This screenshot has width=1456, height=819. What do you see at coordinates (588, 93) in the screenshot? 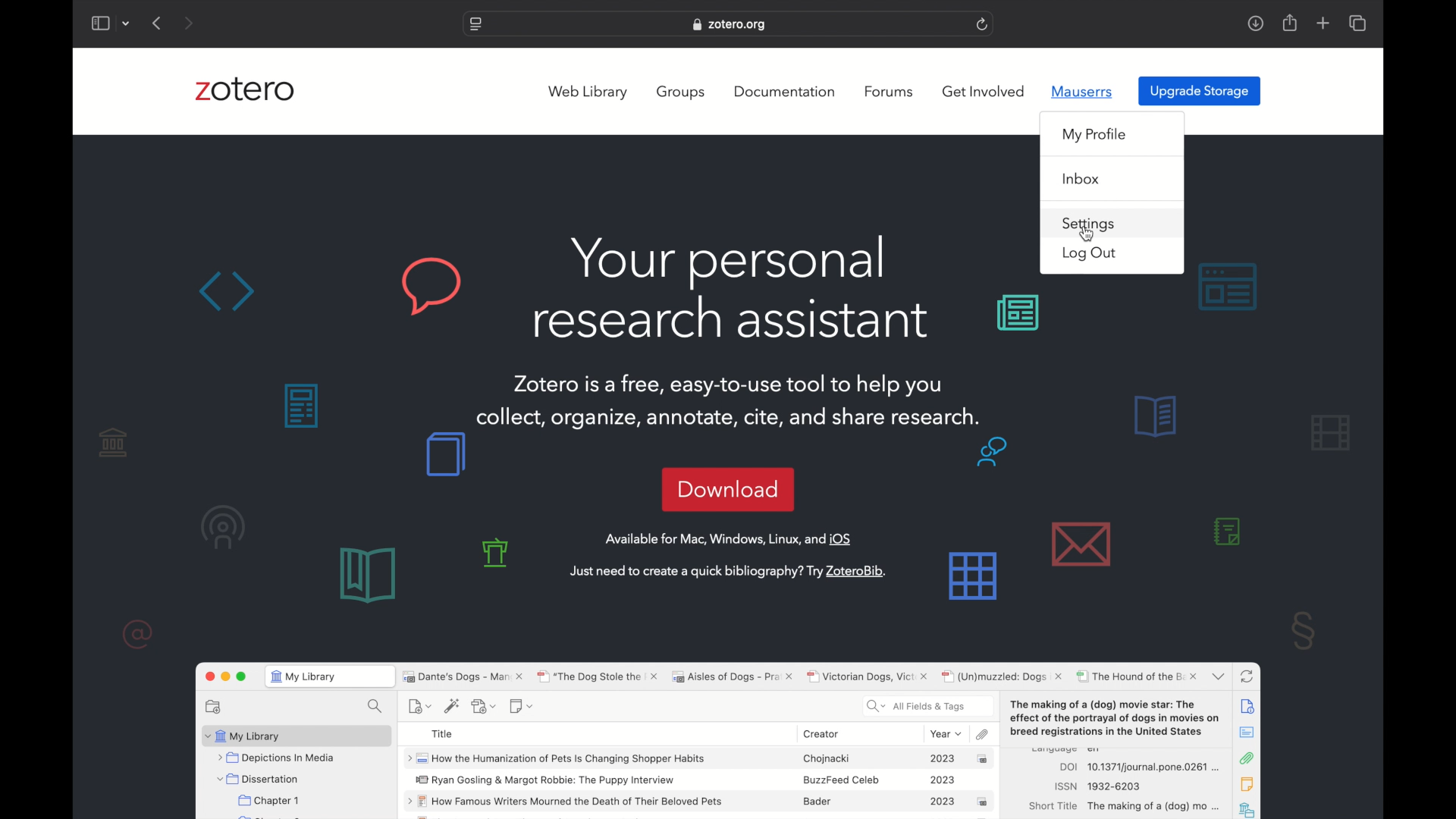
I see `web library` at bounding box center [588, 93].